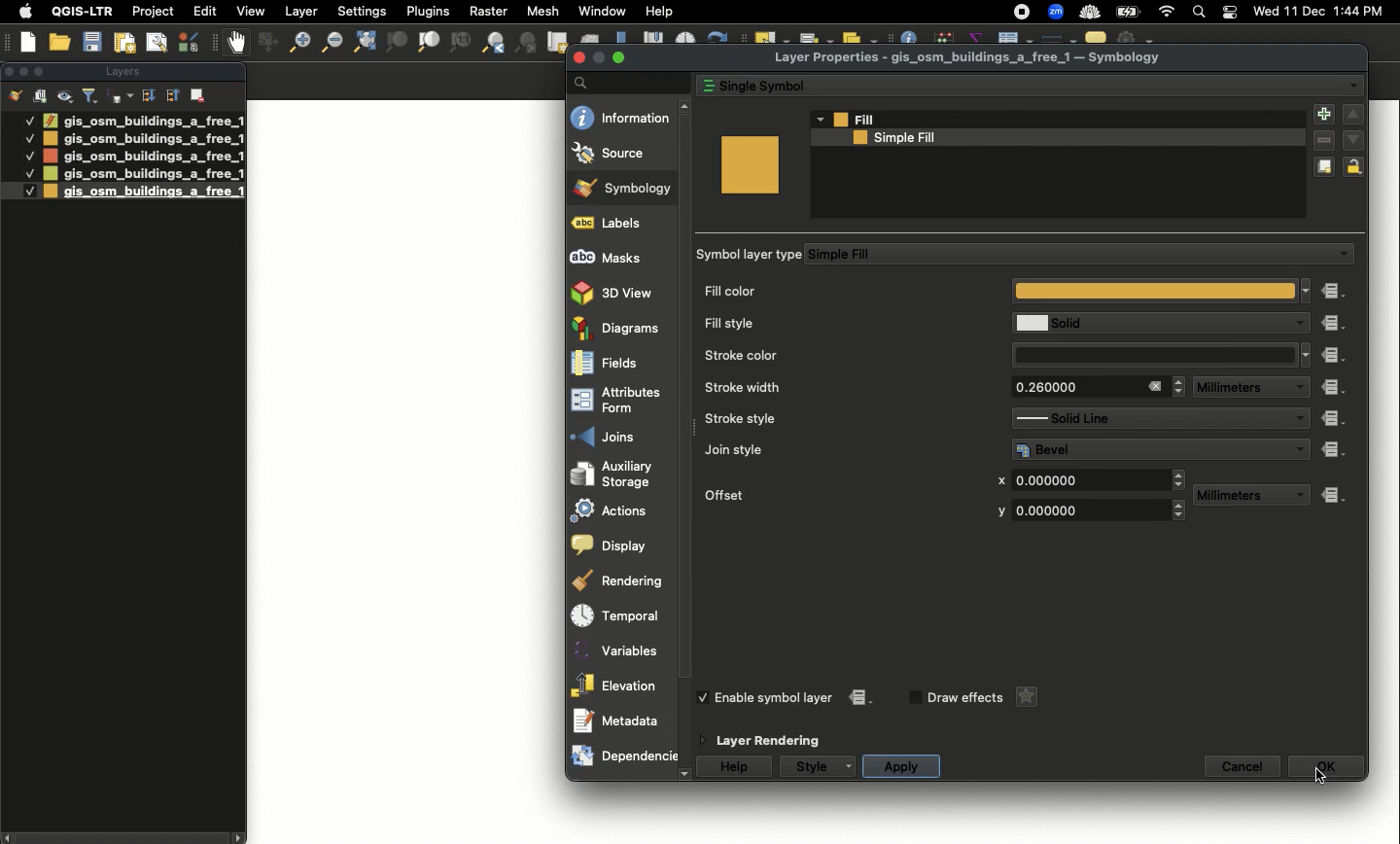 The image size is (1400, 844). I want to click on 1:43 PM, so click(1361, 11).